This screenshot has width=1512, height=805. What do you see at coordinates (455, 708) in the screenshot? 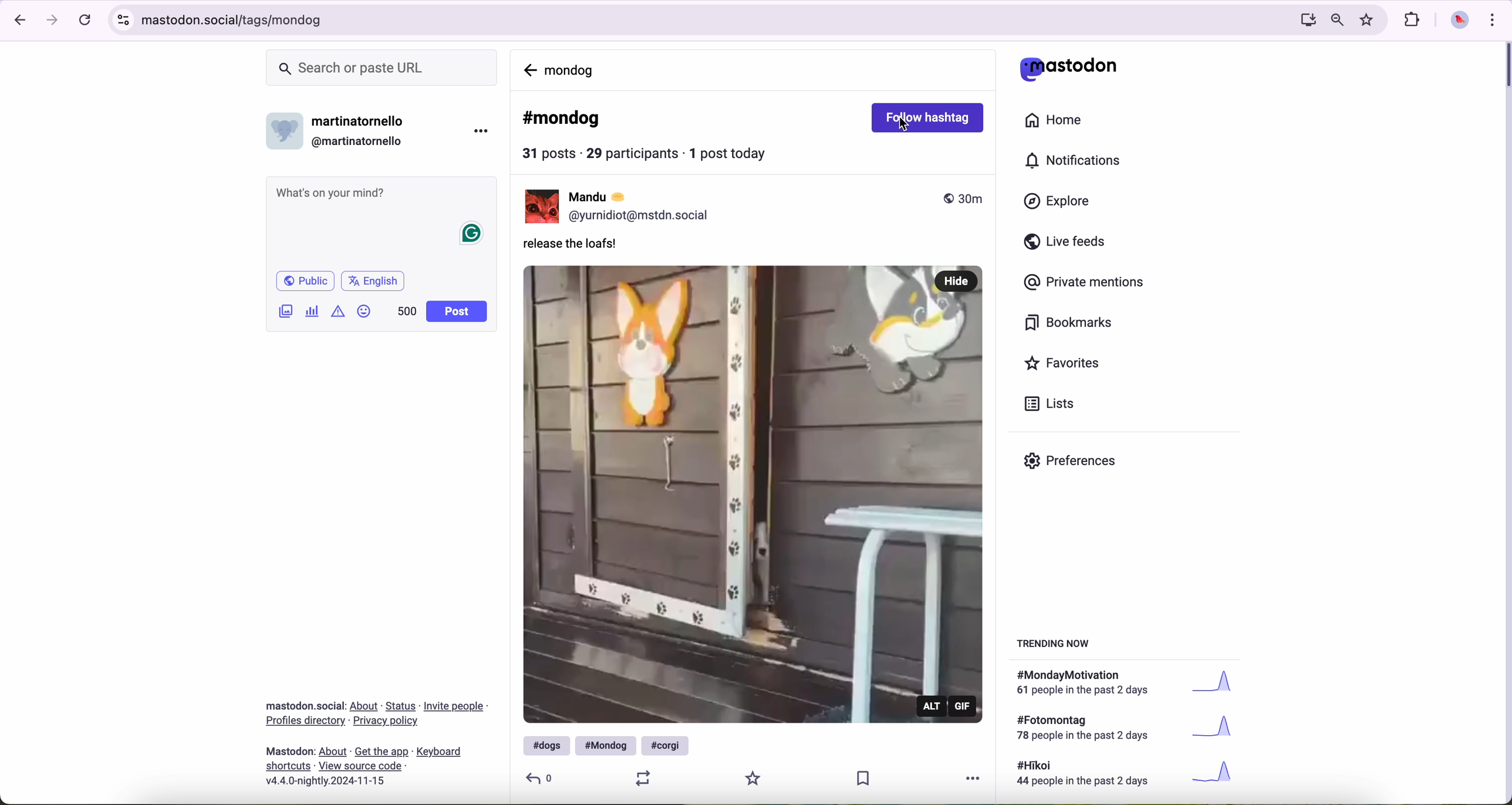
I see `link` at bounding box center [455, 708].